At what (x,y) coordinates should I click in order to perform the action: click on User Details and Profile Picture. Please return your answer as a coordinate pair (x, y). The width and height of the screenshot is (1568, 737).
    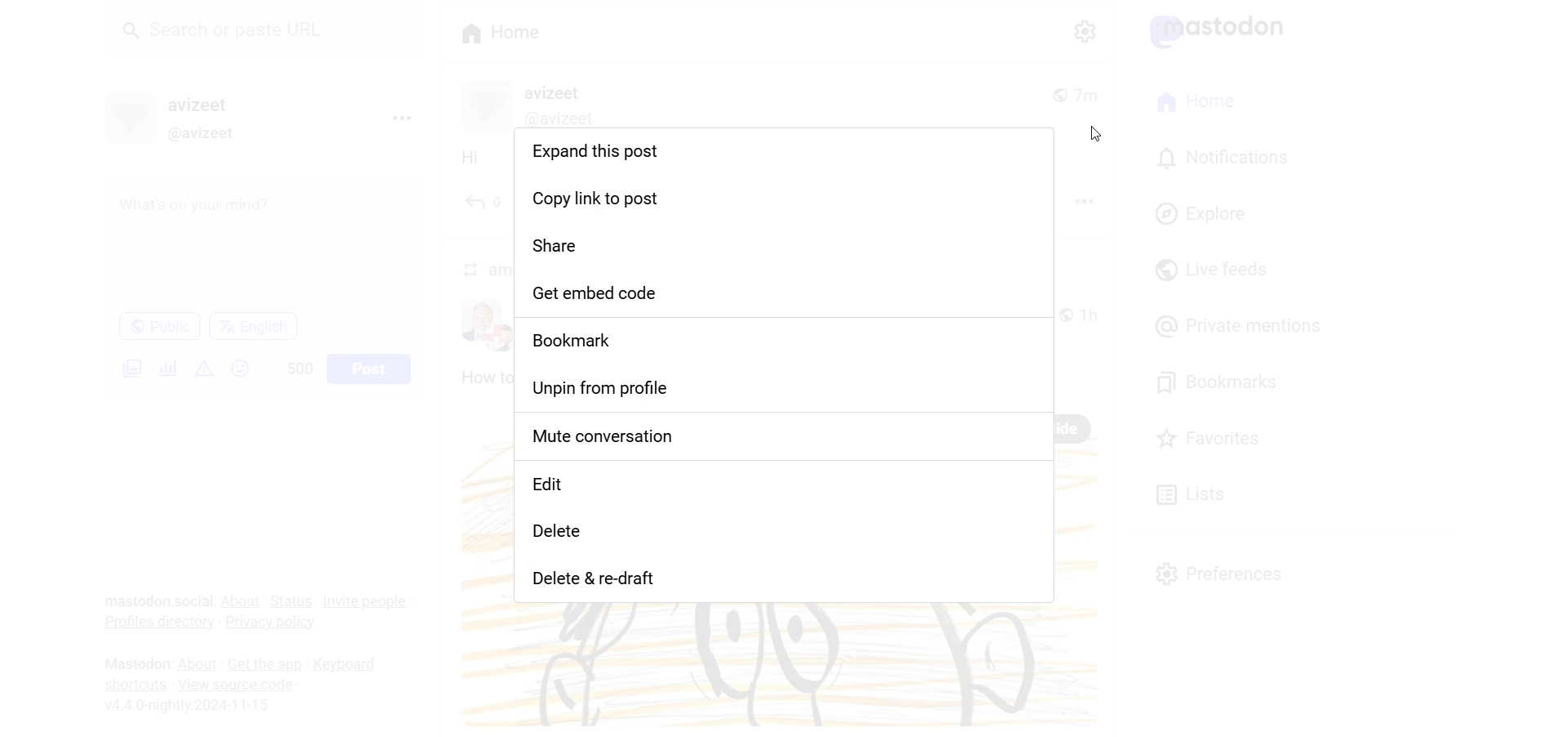
    Looking at the image, I should click on (537, 105).